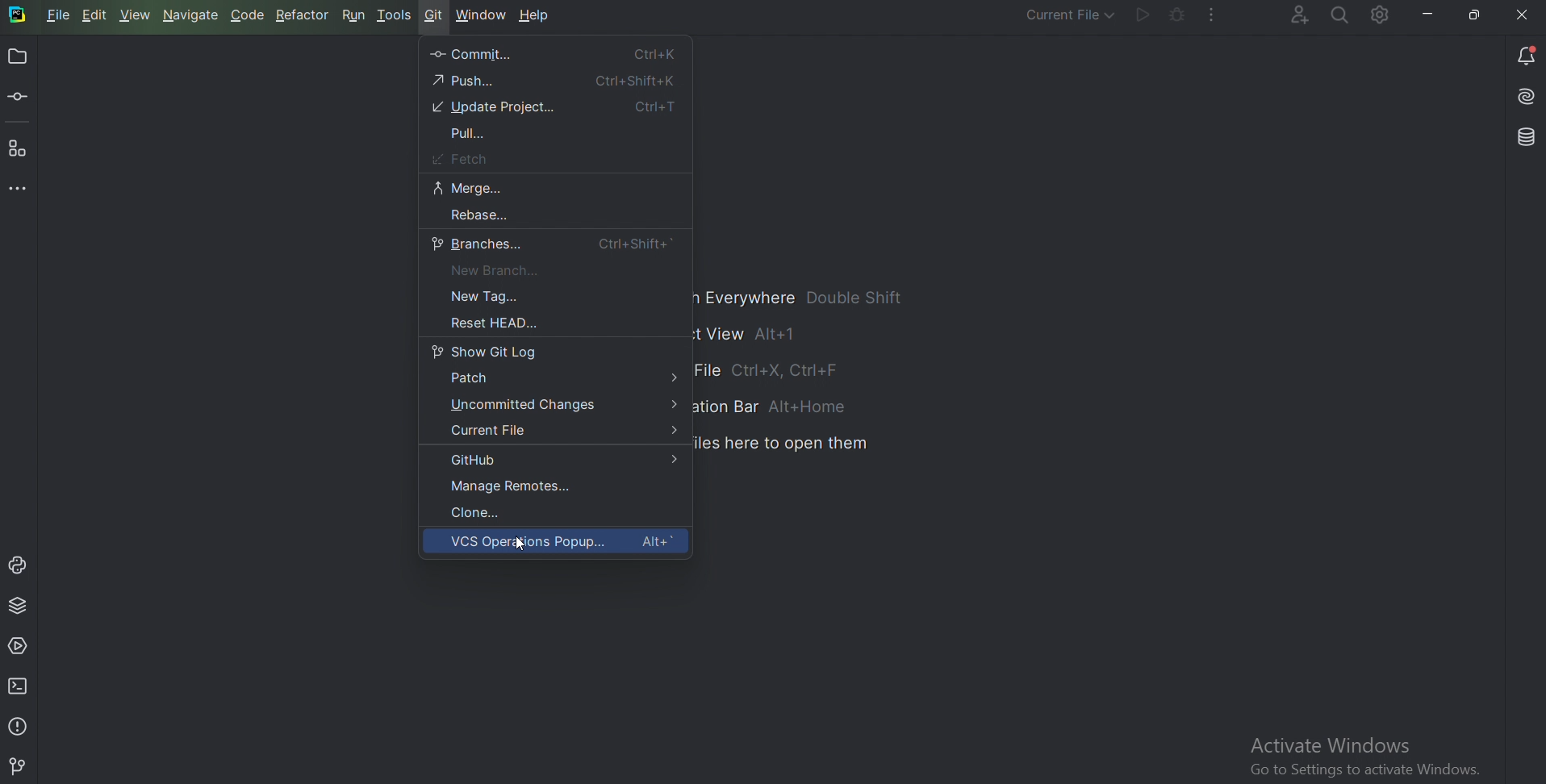 This screenshot has height=784, width=1546. What do you see at coordinates (191, 15) in the screenshot?
I see `Navigate` at bounding box center [191, 15].